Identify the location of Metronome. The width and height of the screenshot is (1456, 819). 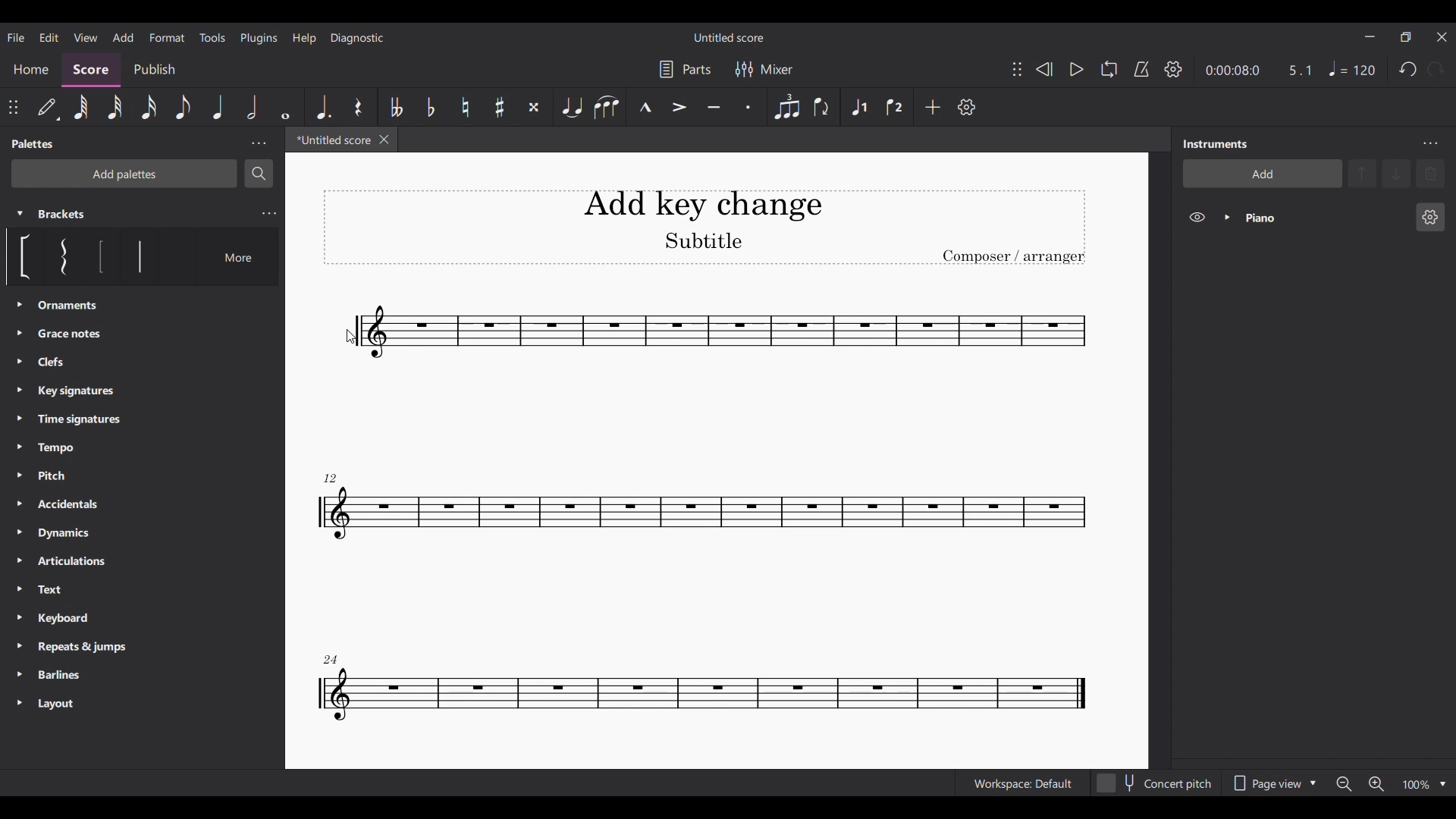
(1141, 69).